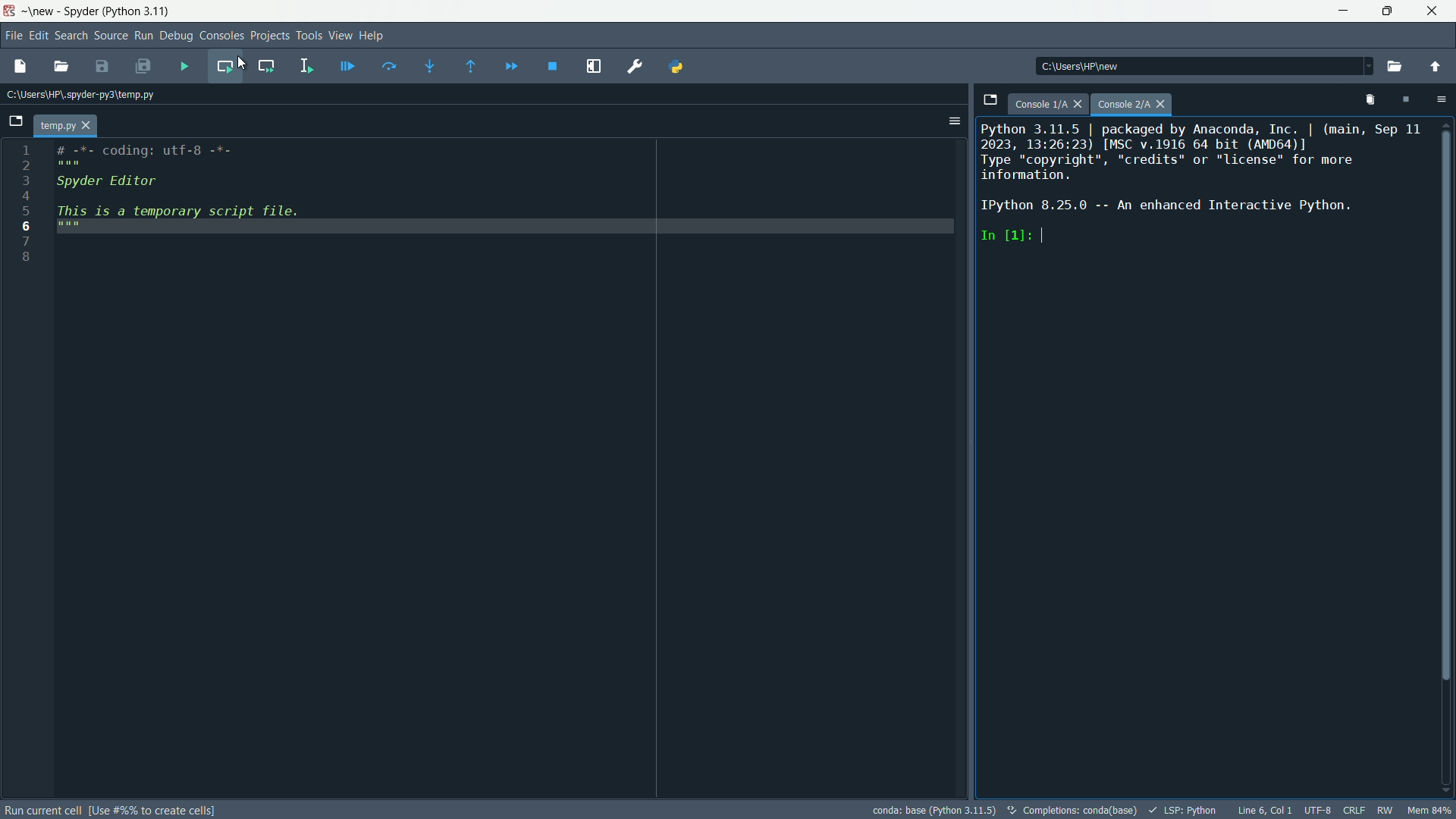 This screenshot has height=819, width=1456. Describe the element at coordinates (271, 36) in the screenshot. I see `projects menu` at that location.